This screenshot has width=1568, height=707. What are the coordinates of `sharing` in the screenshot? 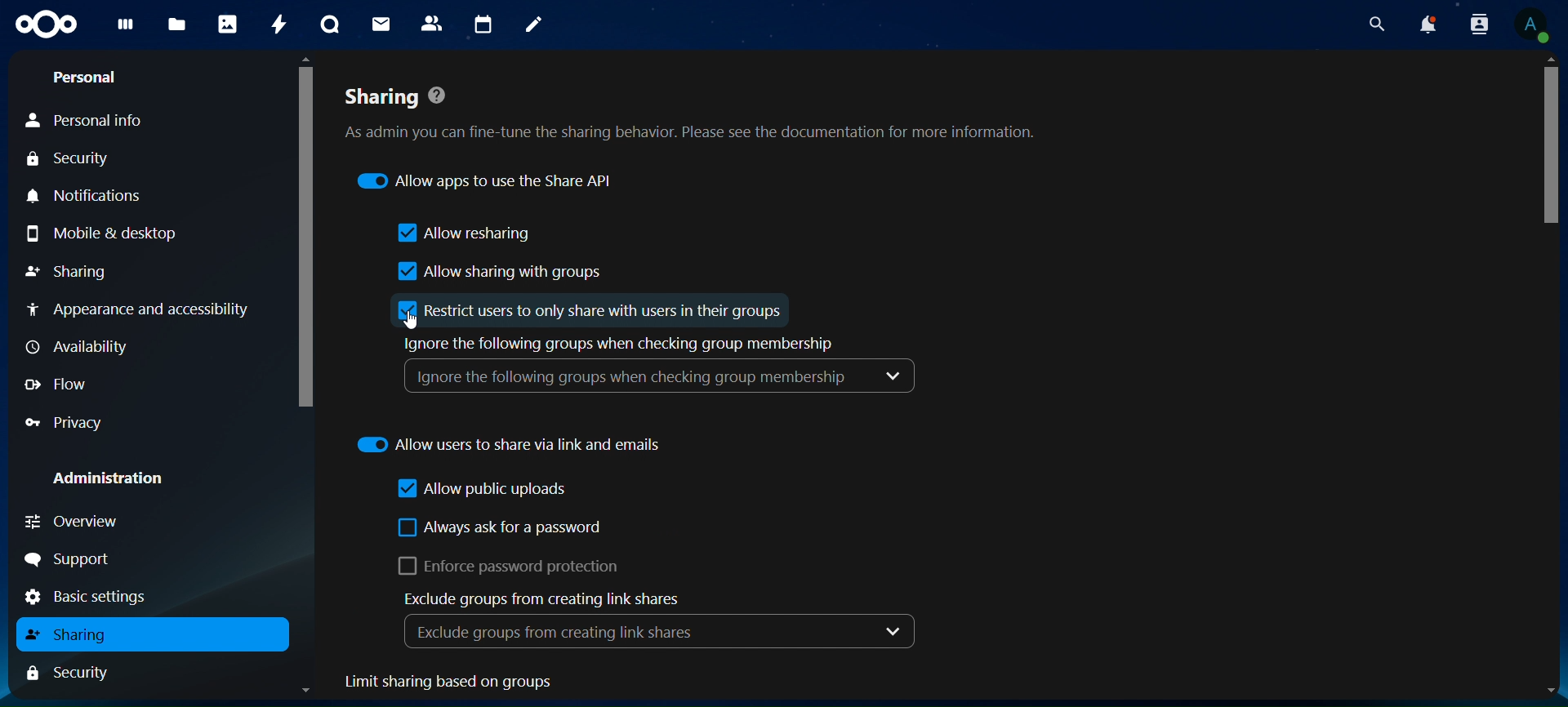 It's located at (73, 632).